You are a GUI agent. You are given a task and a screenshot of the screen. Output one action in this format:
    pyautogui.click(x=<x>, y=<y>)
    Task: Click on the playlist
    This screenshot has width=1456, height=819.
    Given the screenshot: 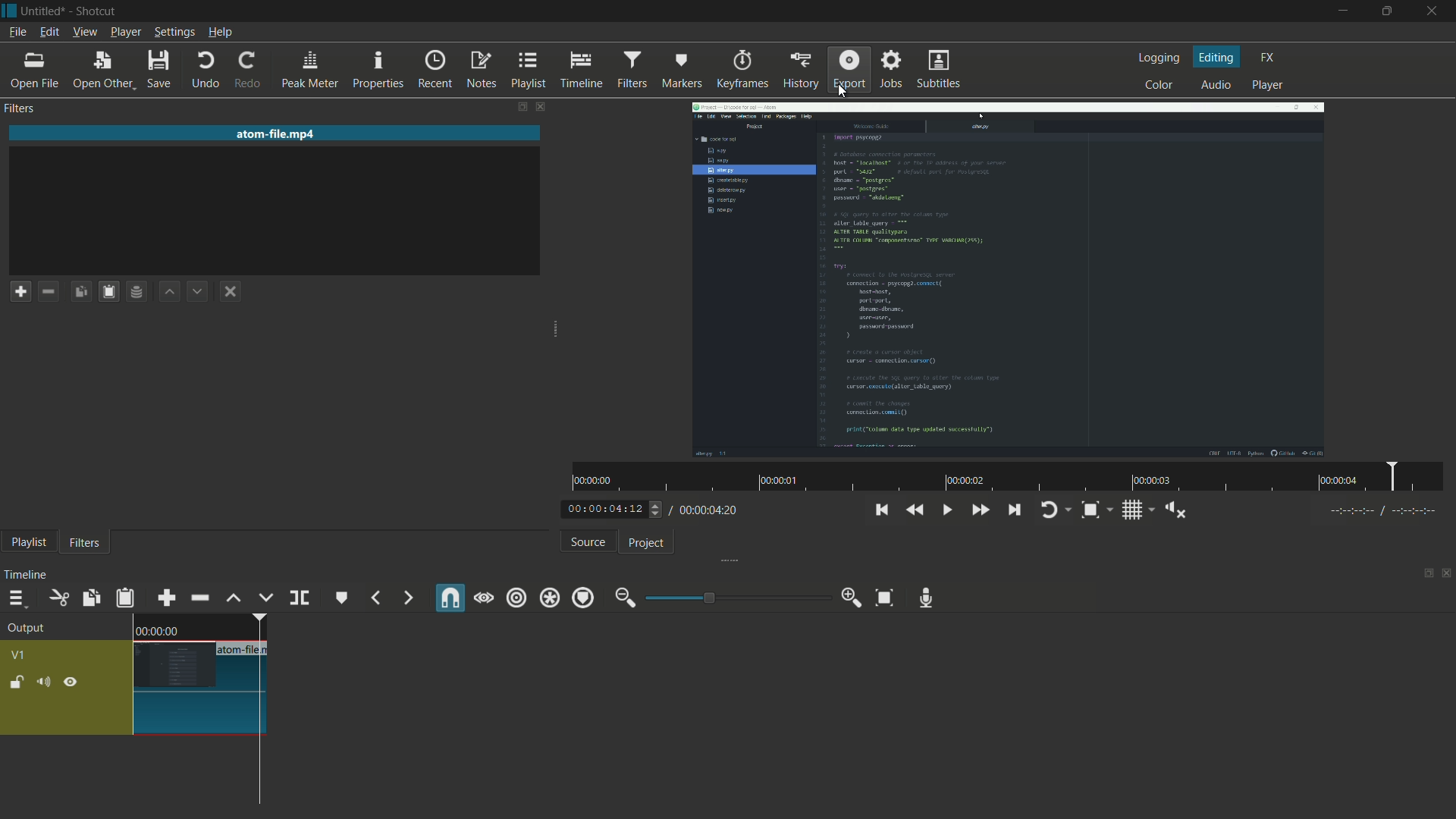 What is the action you would take?
    pyautogui.click(x=26, y=544)
    